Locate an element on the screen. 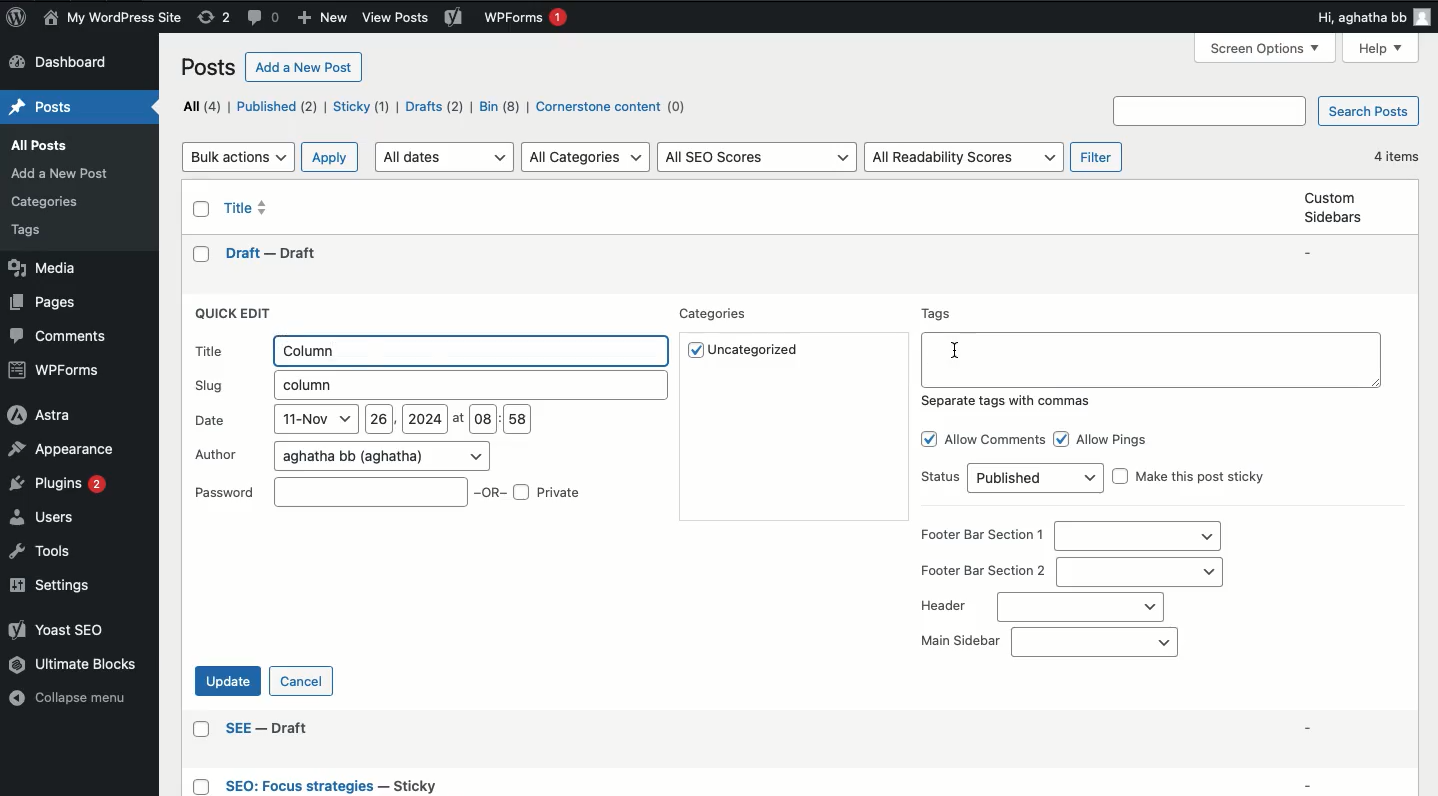 This screenshot has width=1438, height=796. screen options is located at coordinates (1266, 48).